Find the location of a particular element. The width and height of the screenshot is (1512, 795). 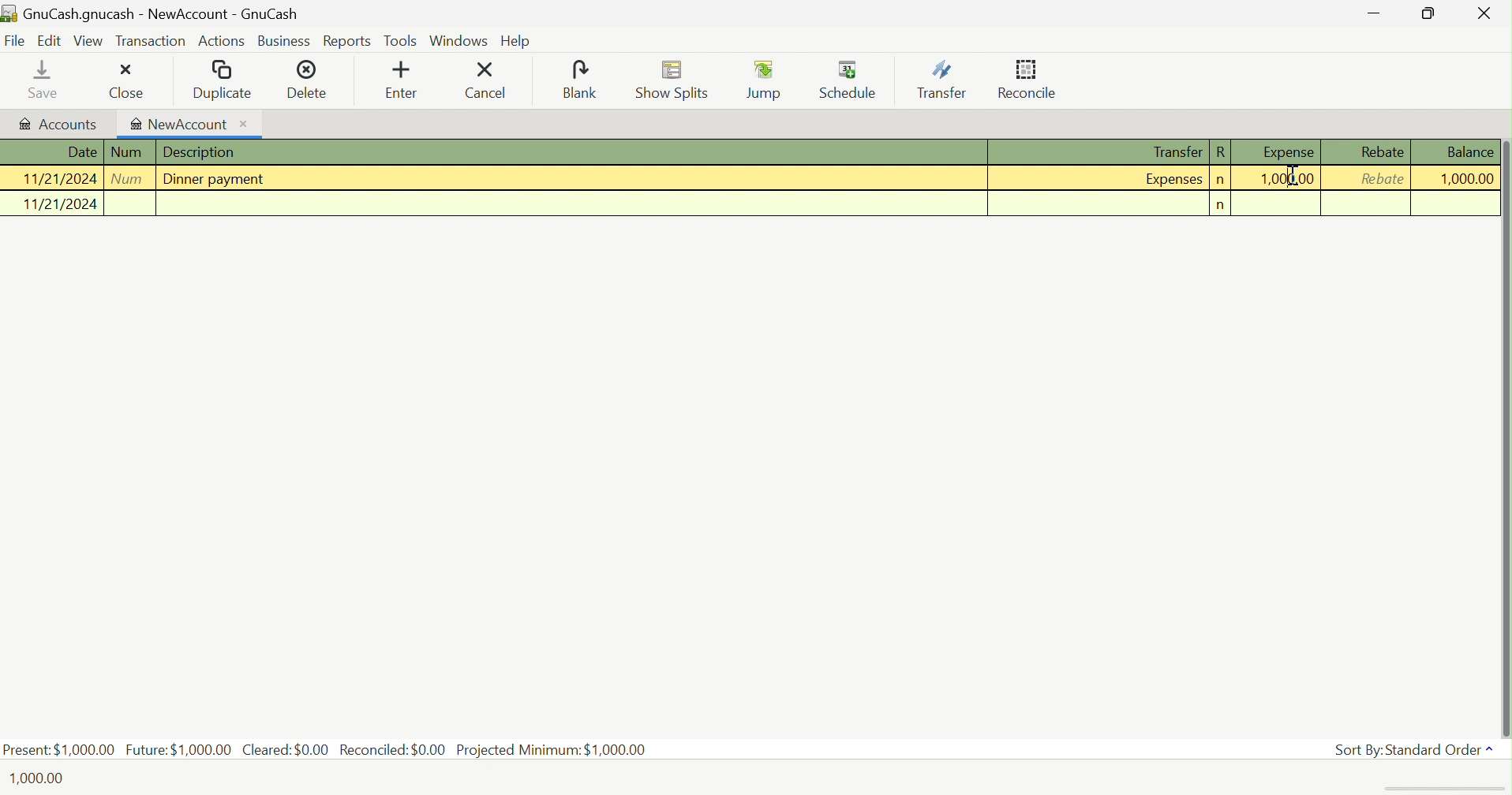

Future: $1000.00 is located at coordinates (178, 748).